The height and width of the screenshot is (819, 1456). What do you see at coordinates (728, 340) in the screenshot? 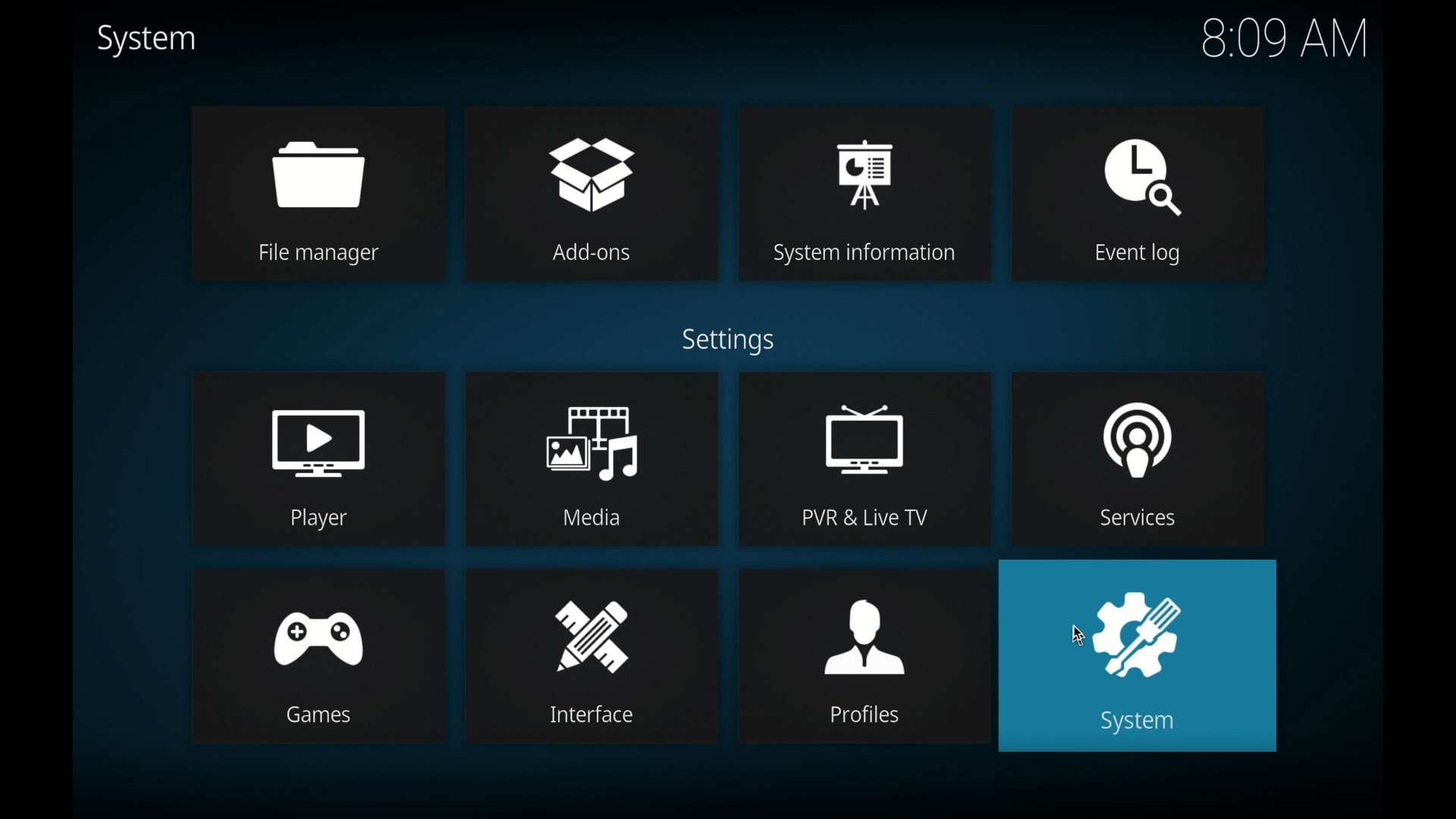
I see `settings` at bounding box center [728, 340].